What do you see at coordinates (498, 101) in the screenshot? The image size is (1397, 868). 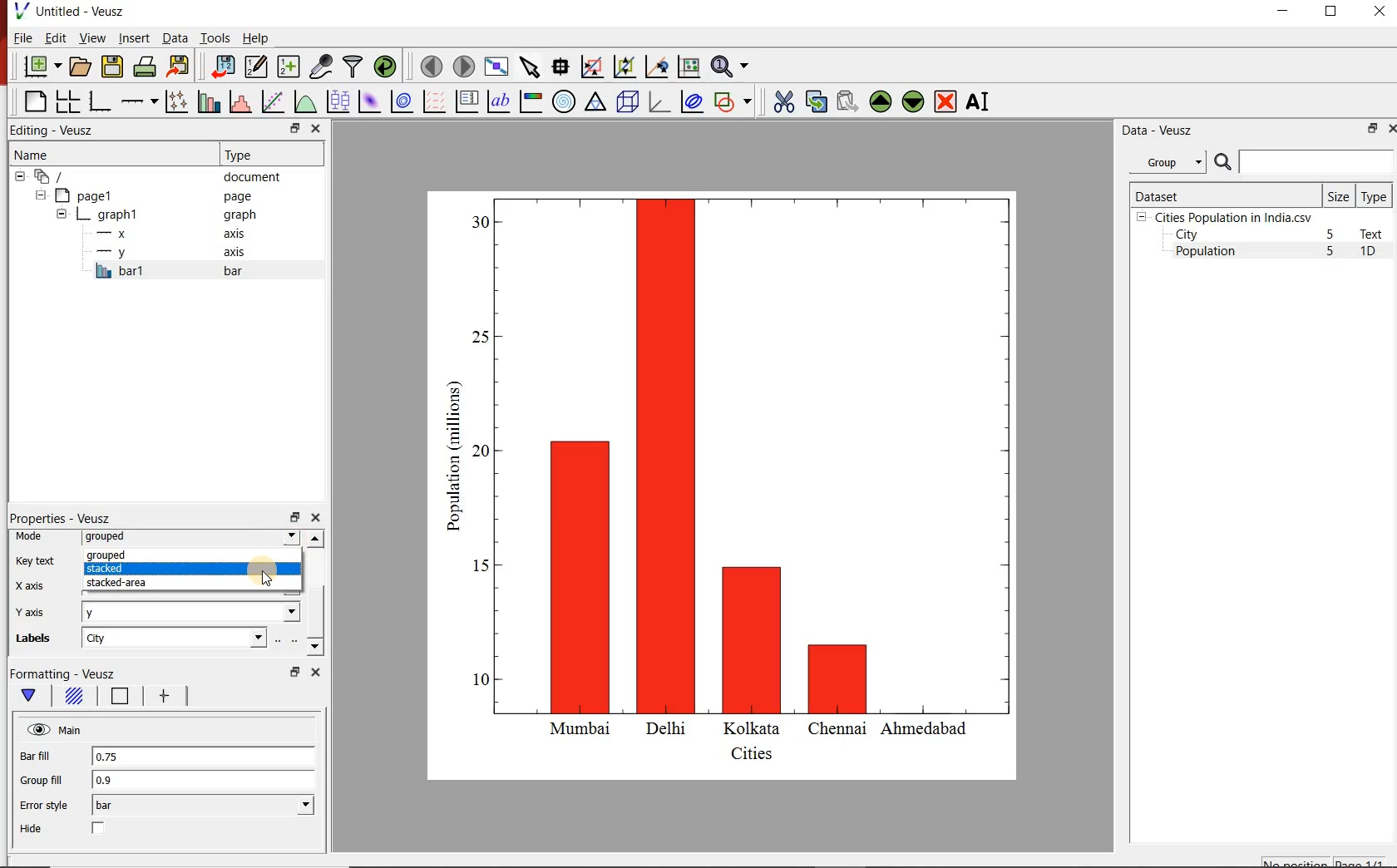 I see `text label` at bounding box center [498, 101].